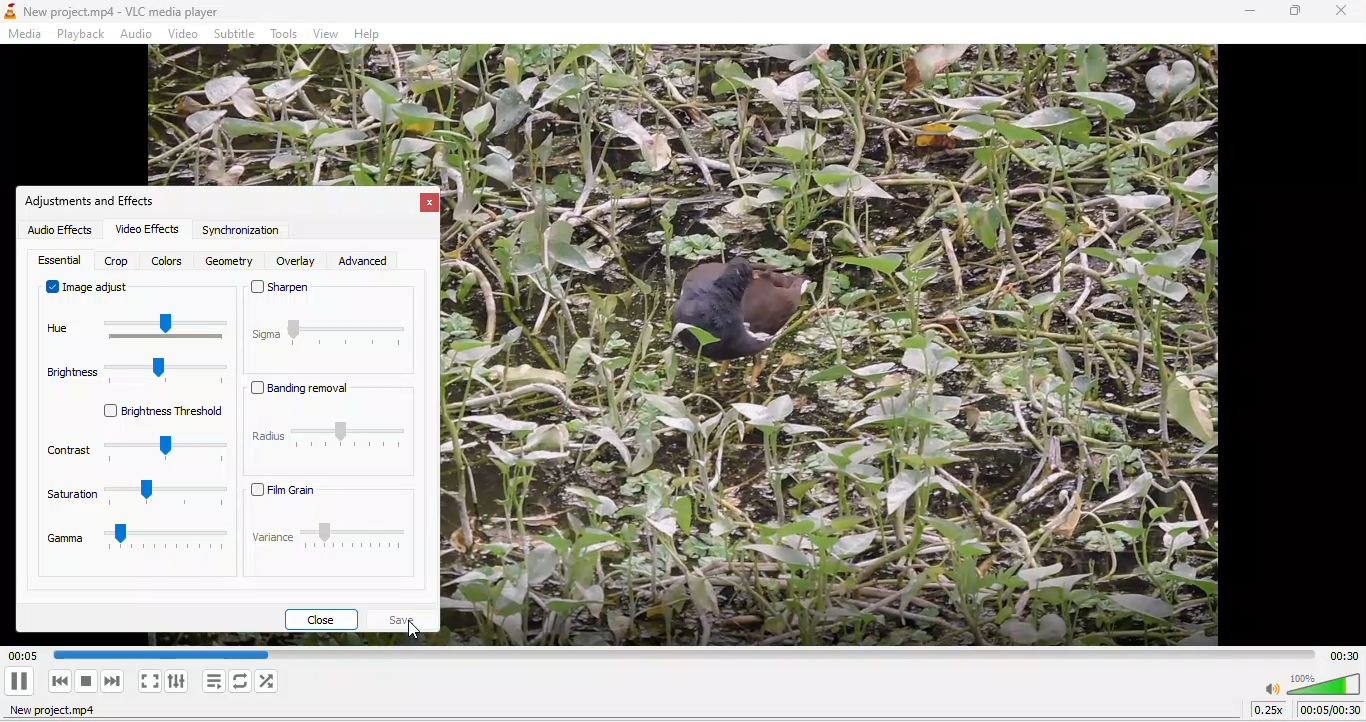 The width and height of the screenshot is (1366, 722). Describe the element at coordinates (1339, 13) in the screenshot. I see `close` at that location.